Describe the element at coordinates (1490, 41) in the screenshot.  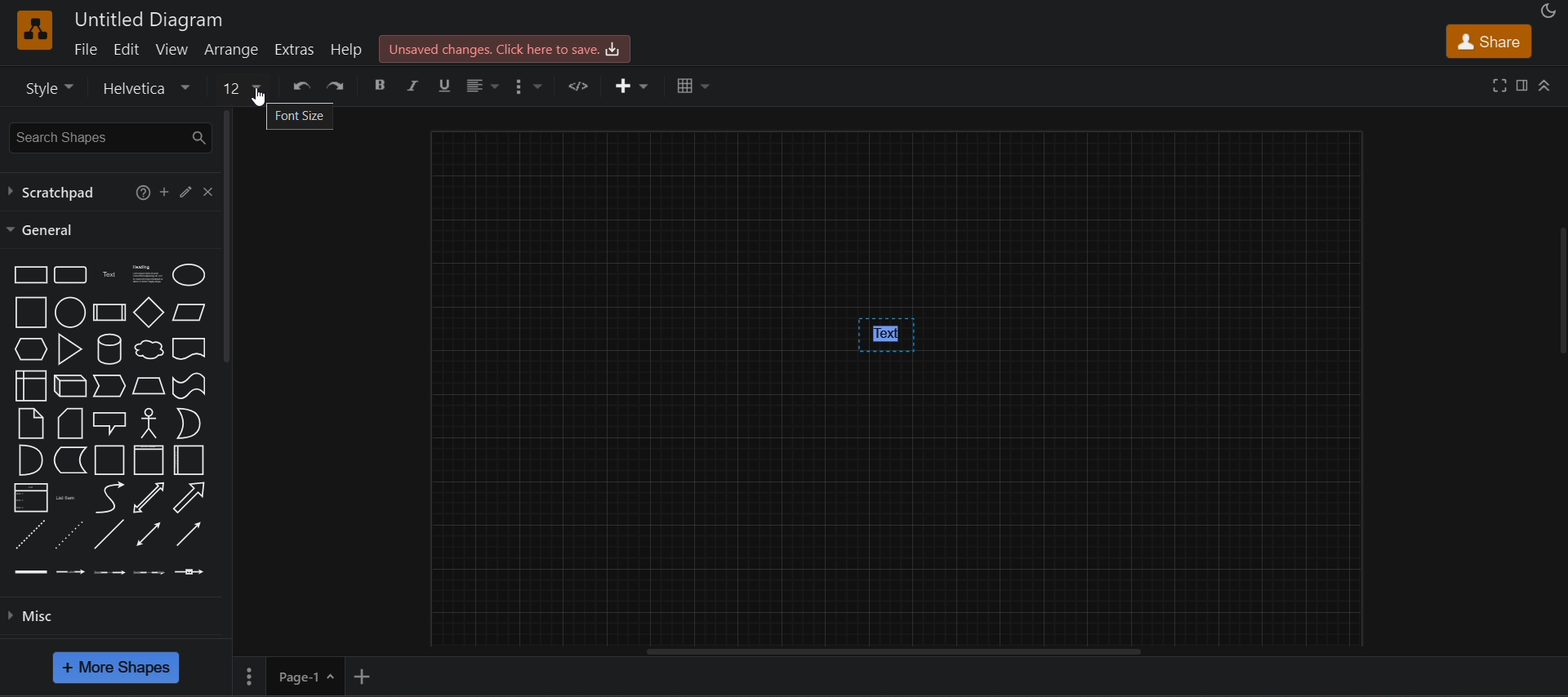
I see `share` at that location.